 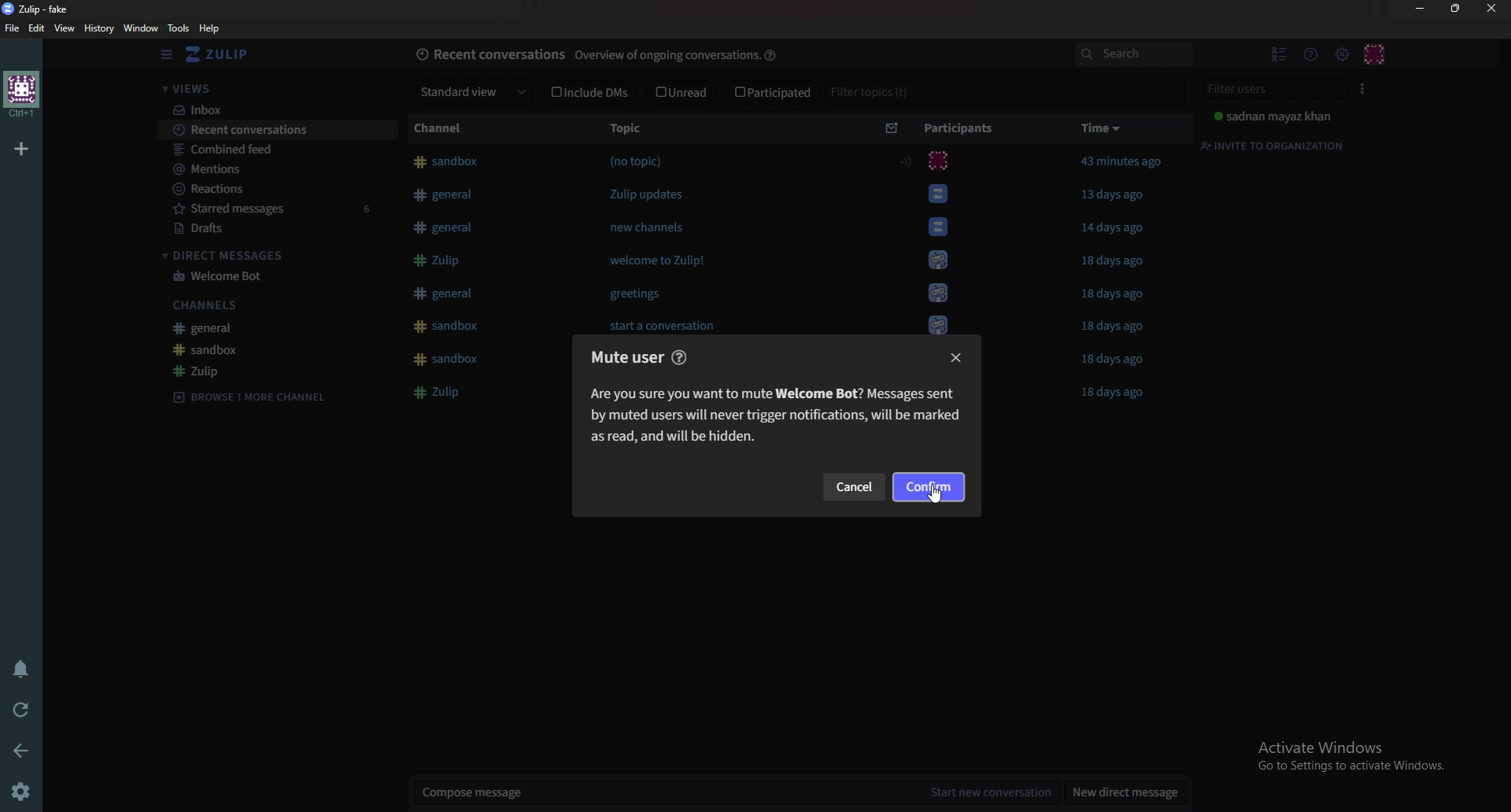 What do you see at coordinates (938, 227) in the screenshot?
I see `Welcome Bot.` at bounding box center [938, 227].